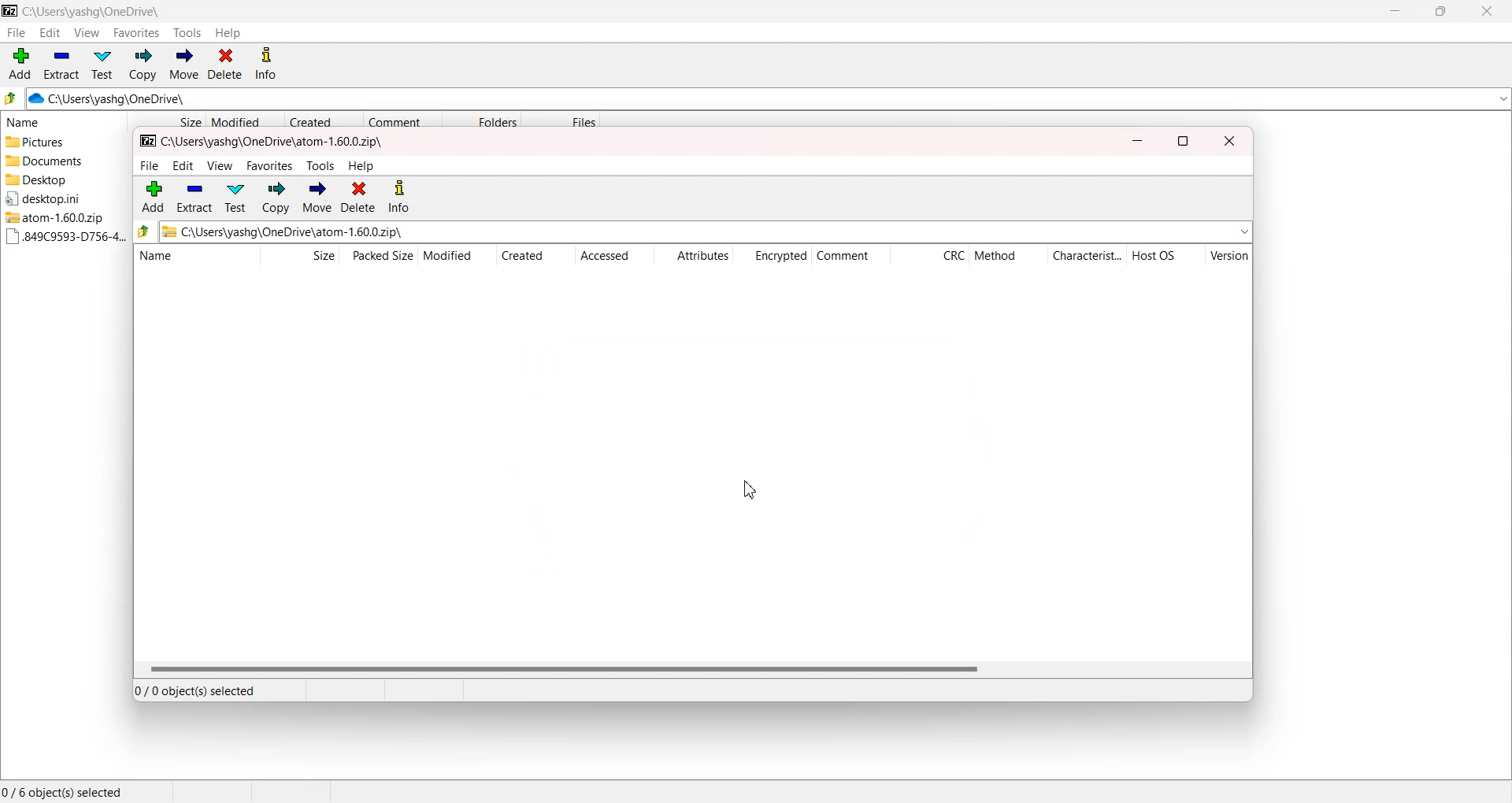 This screenshot has height=803, width=1512. Describe the element at coordinates (183, 65) in the screenshot. I see `Move` at that location.